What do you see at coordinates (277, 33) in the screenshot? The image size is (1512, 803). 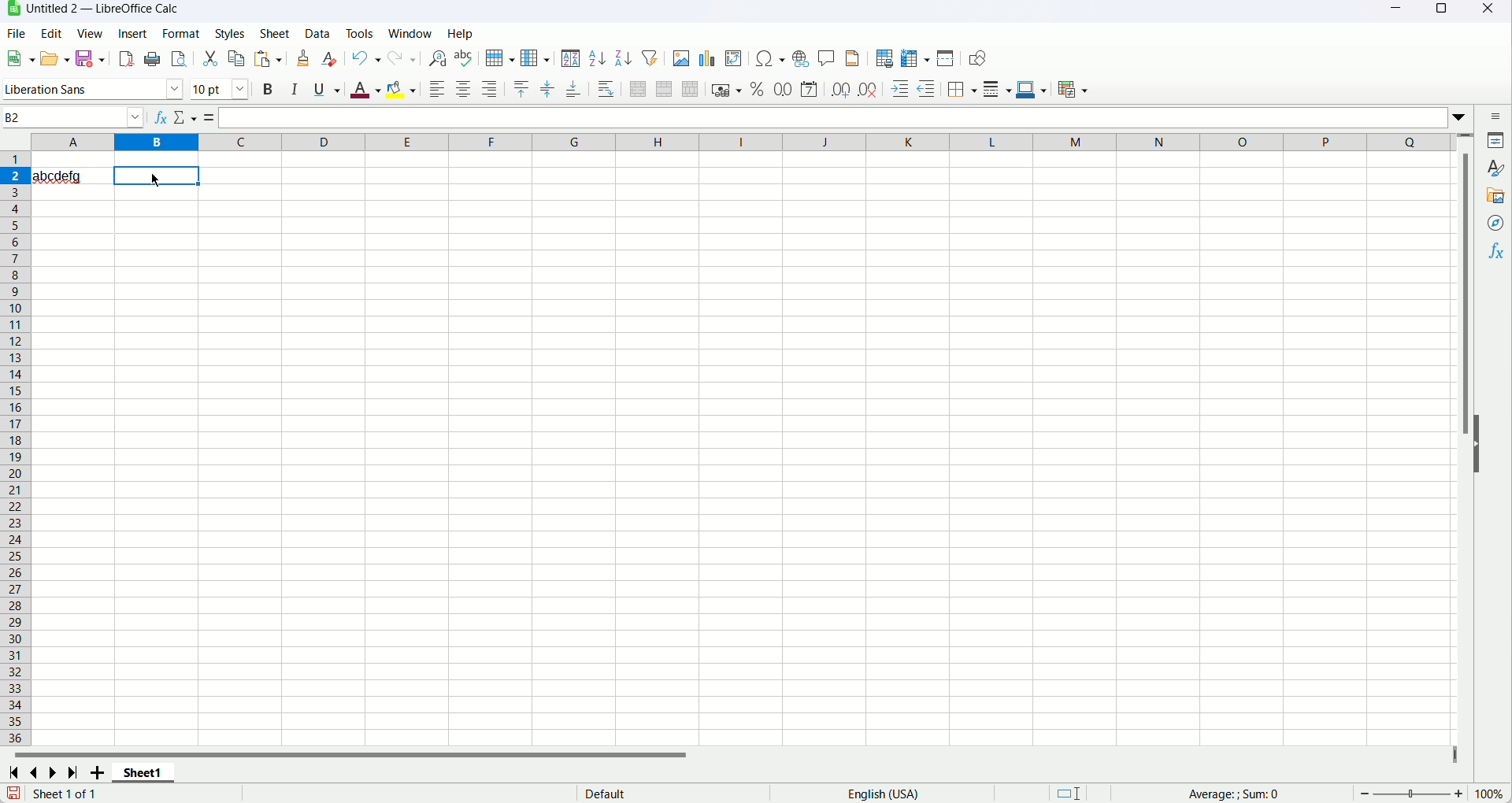 I see `sheet` at bounding box center [277, 33].